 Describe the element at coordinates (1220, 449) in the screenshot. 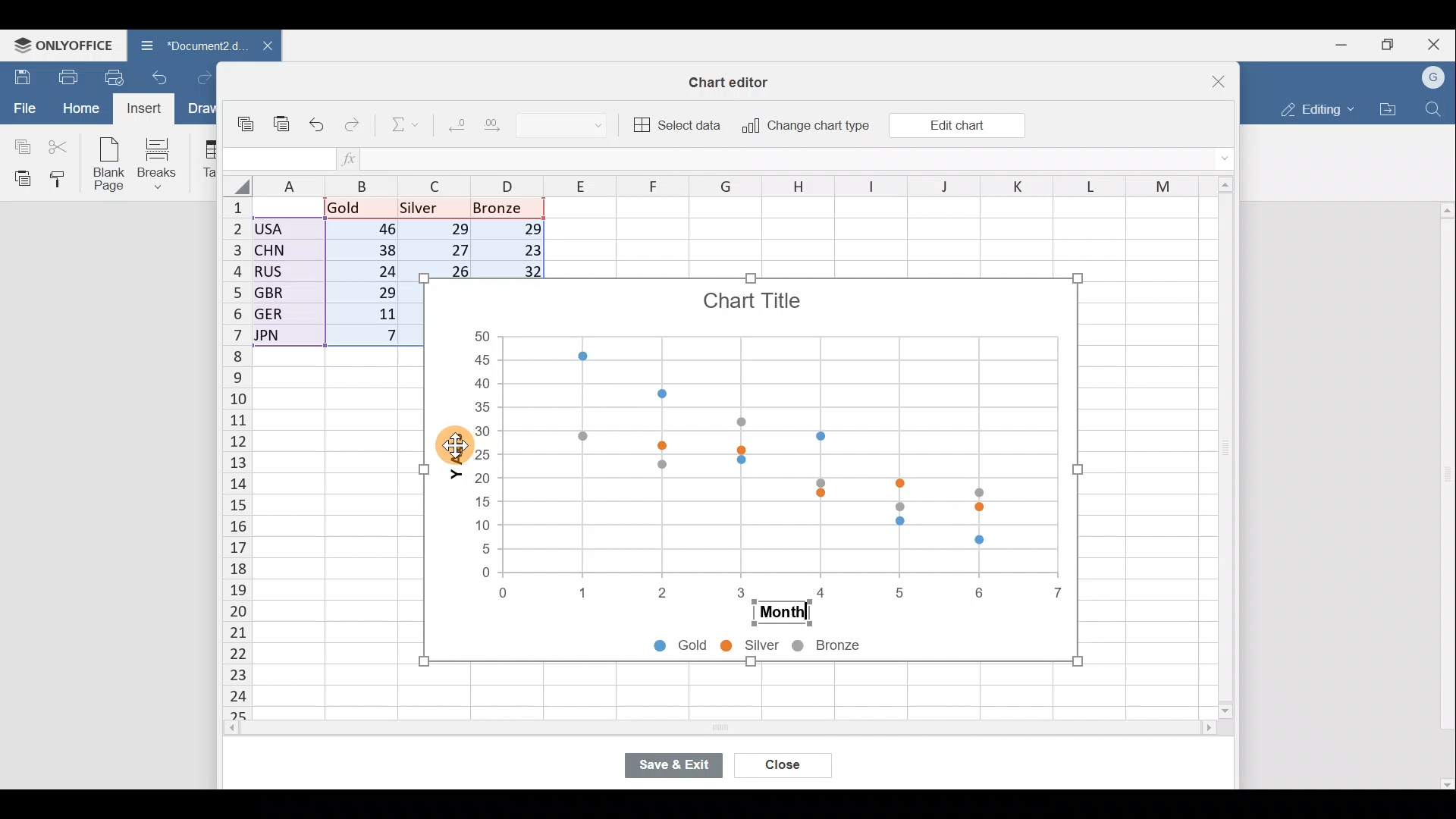

I see `Scroll bar` at that location.